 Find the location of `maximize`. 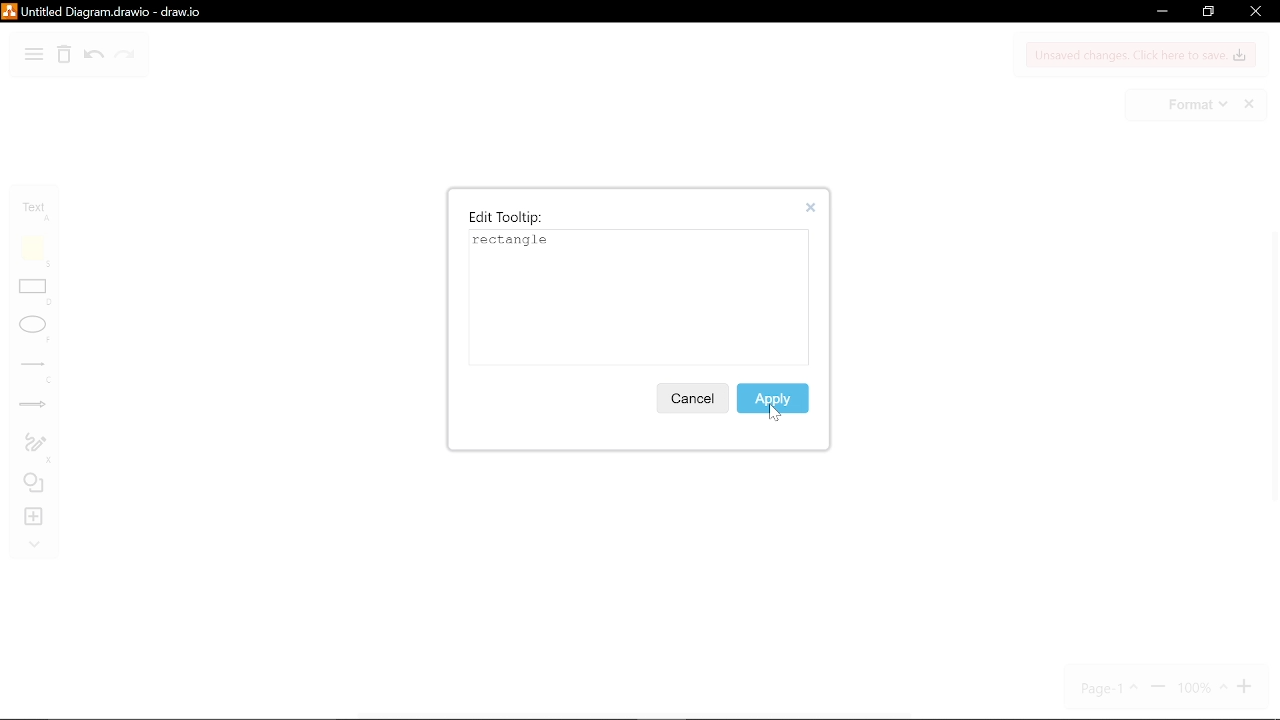

maximize is located at coordinates (1207, 12).